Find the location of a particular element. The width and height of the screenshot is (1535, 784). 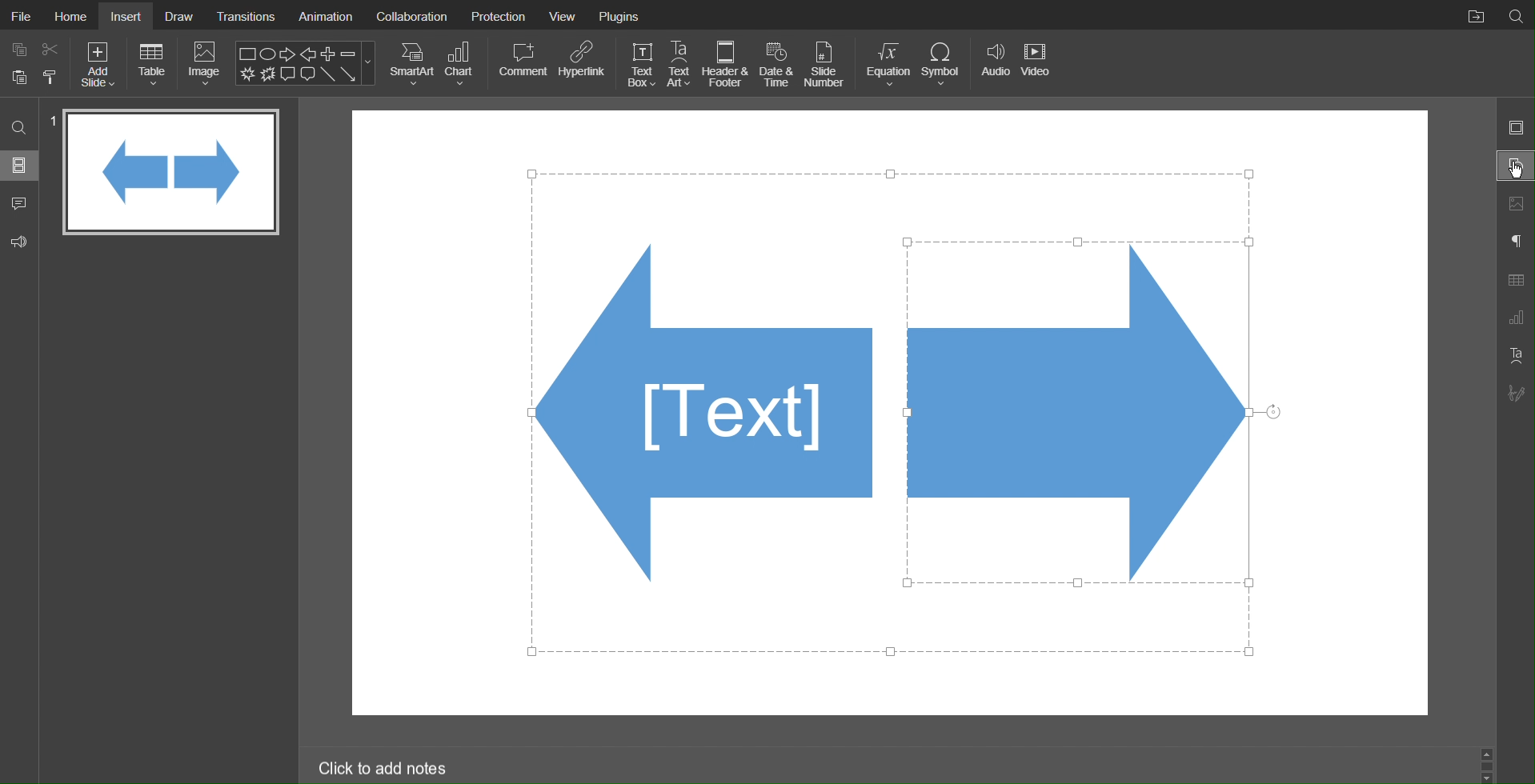

Slide Settings is located at coordinates (1517, 128).